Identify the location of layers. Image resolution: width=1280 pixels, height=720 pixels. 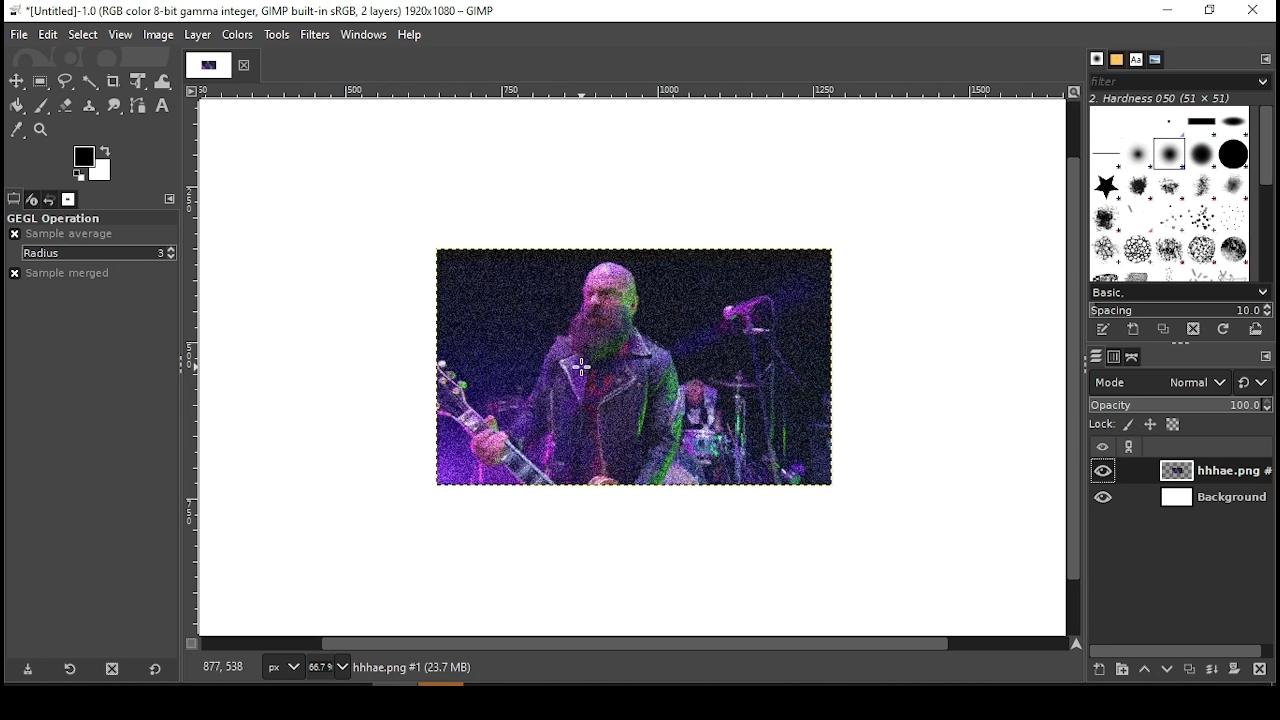
(1092, 358).